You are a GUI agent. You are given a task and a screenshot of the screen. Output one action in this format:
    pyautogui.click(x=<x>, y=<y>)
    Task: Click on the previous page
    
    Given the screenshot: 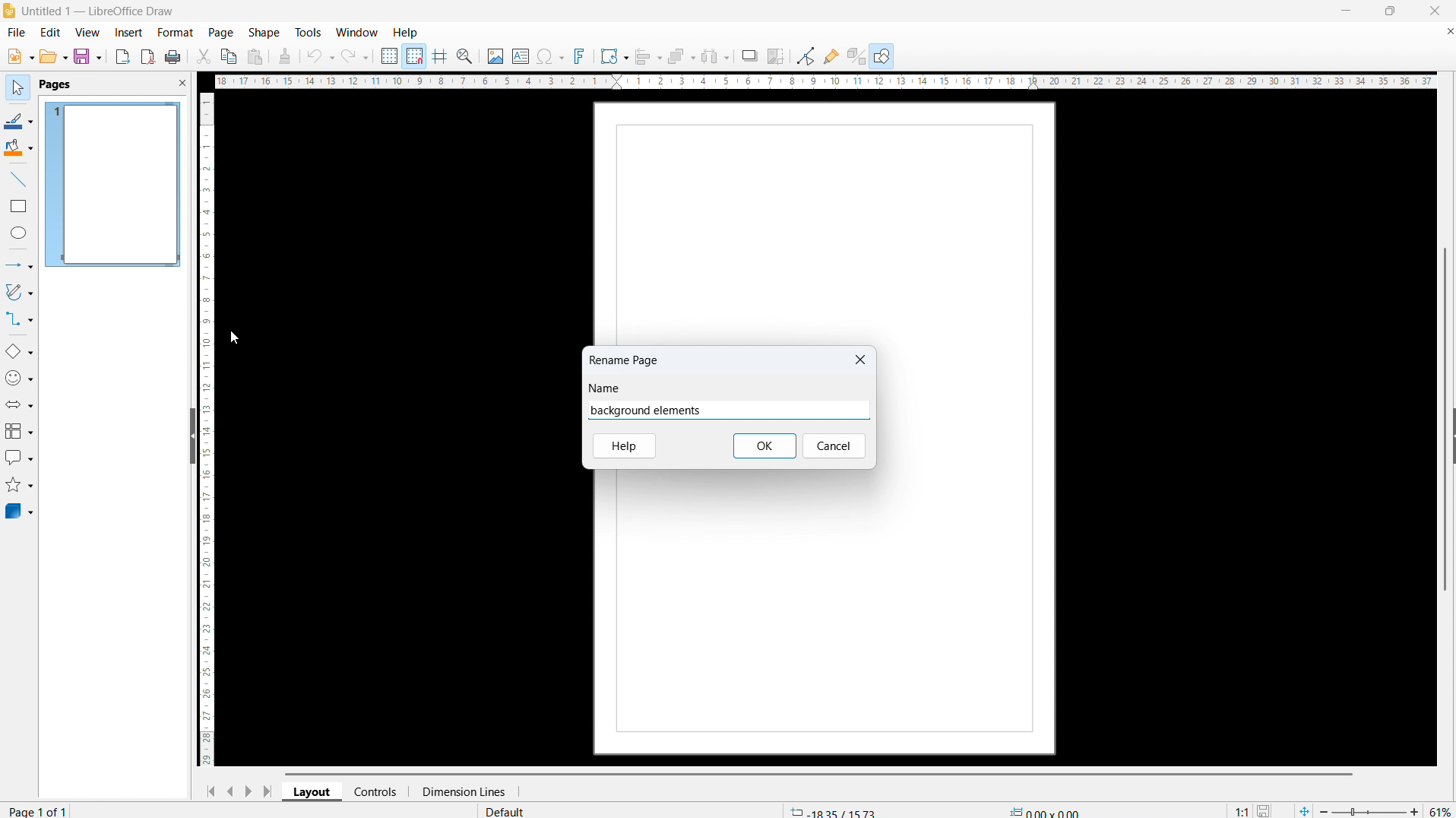 What is the action you would take?
    pyautogui.click(x=229, y=791)
    